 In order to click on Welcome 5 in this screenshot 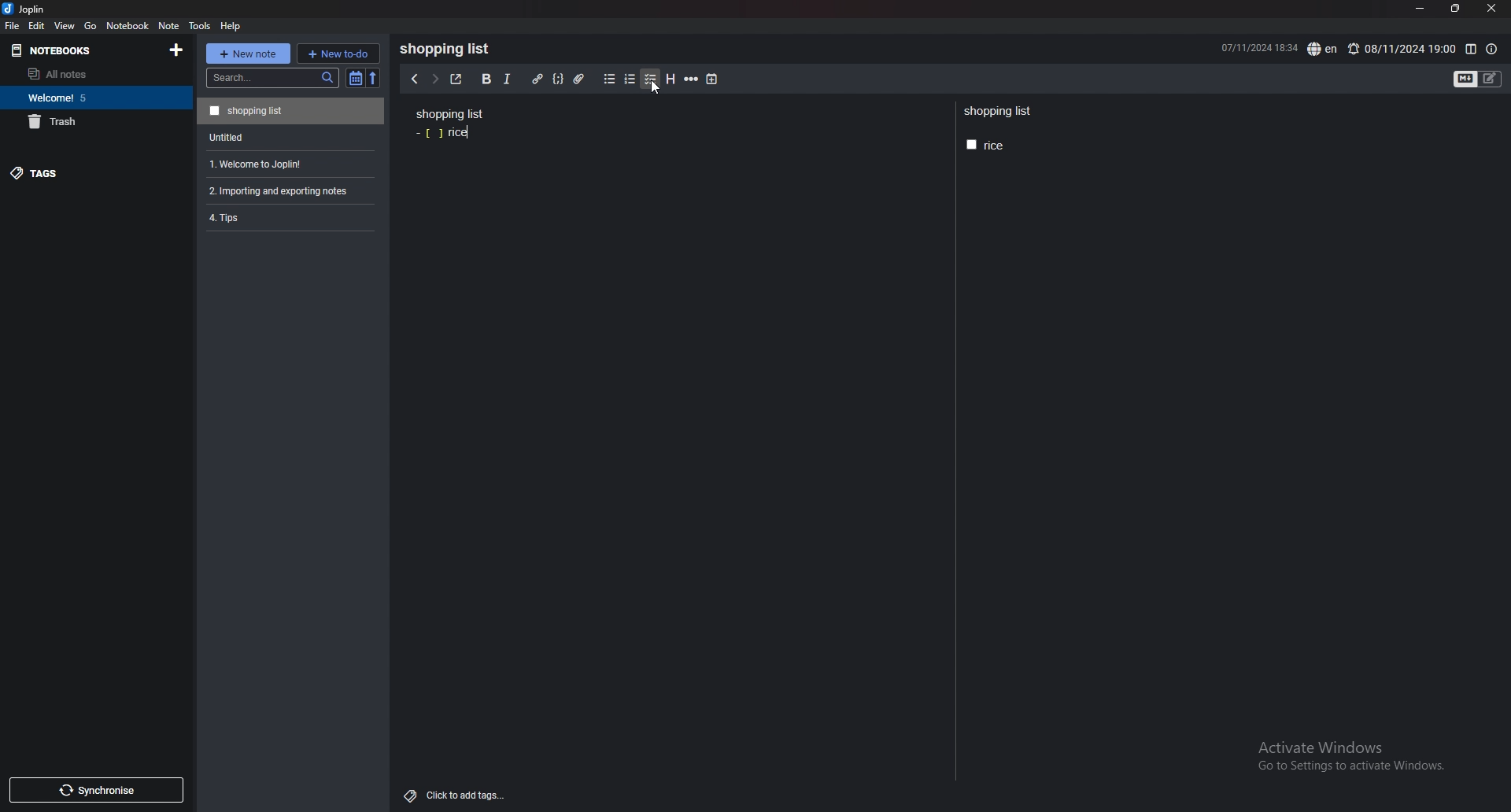, I will do `click(92, 97)`.